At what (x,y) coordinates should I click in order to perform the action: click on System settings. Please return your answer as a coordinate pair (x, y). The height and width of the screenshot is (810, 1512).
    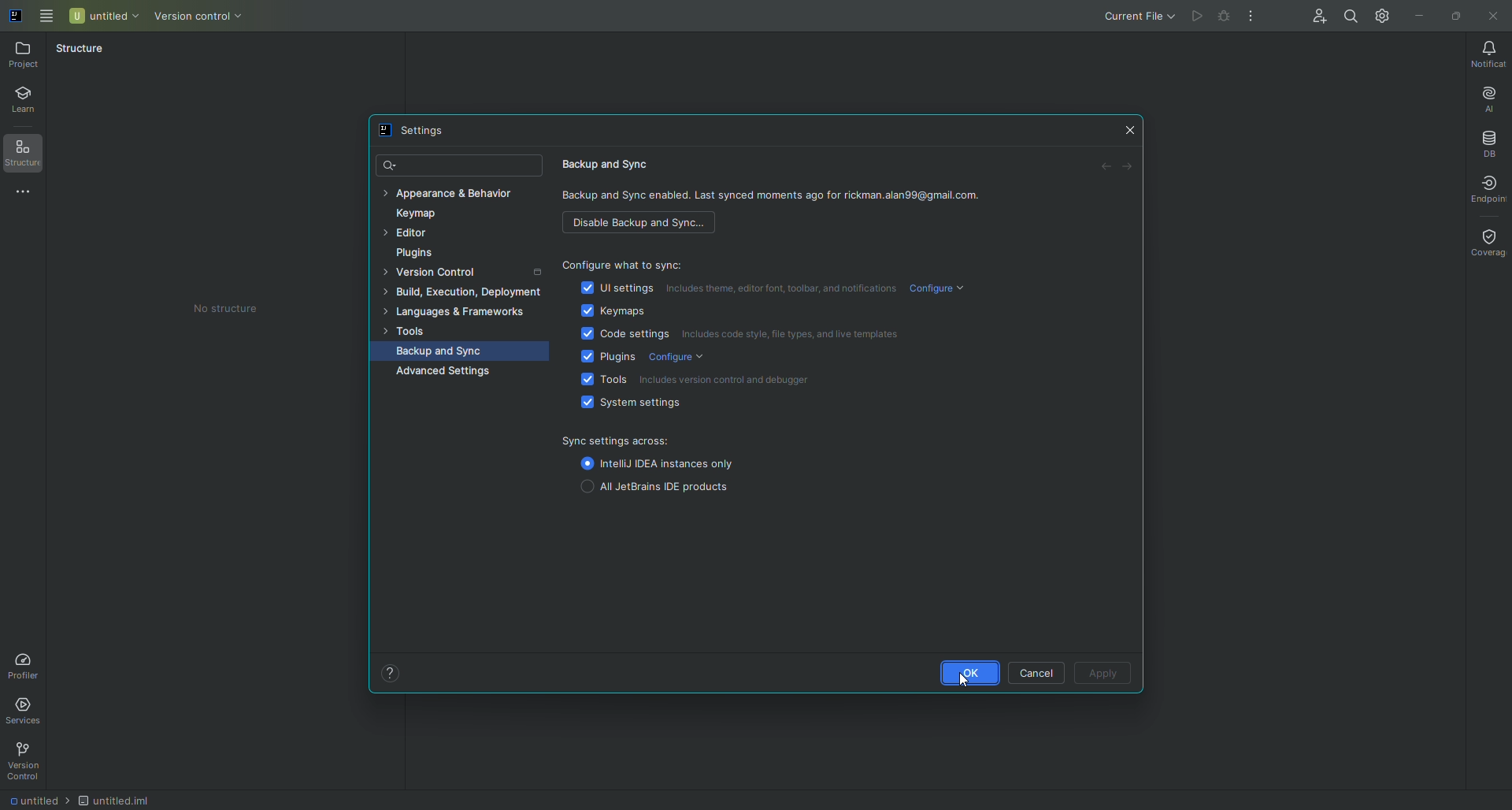
    Looking at the image, I should click on (626, 405).